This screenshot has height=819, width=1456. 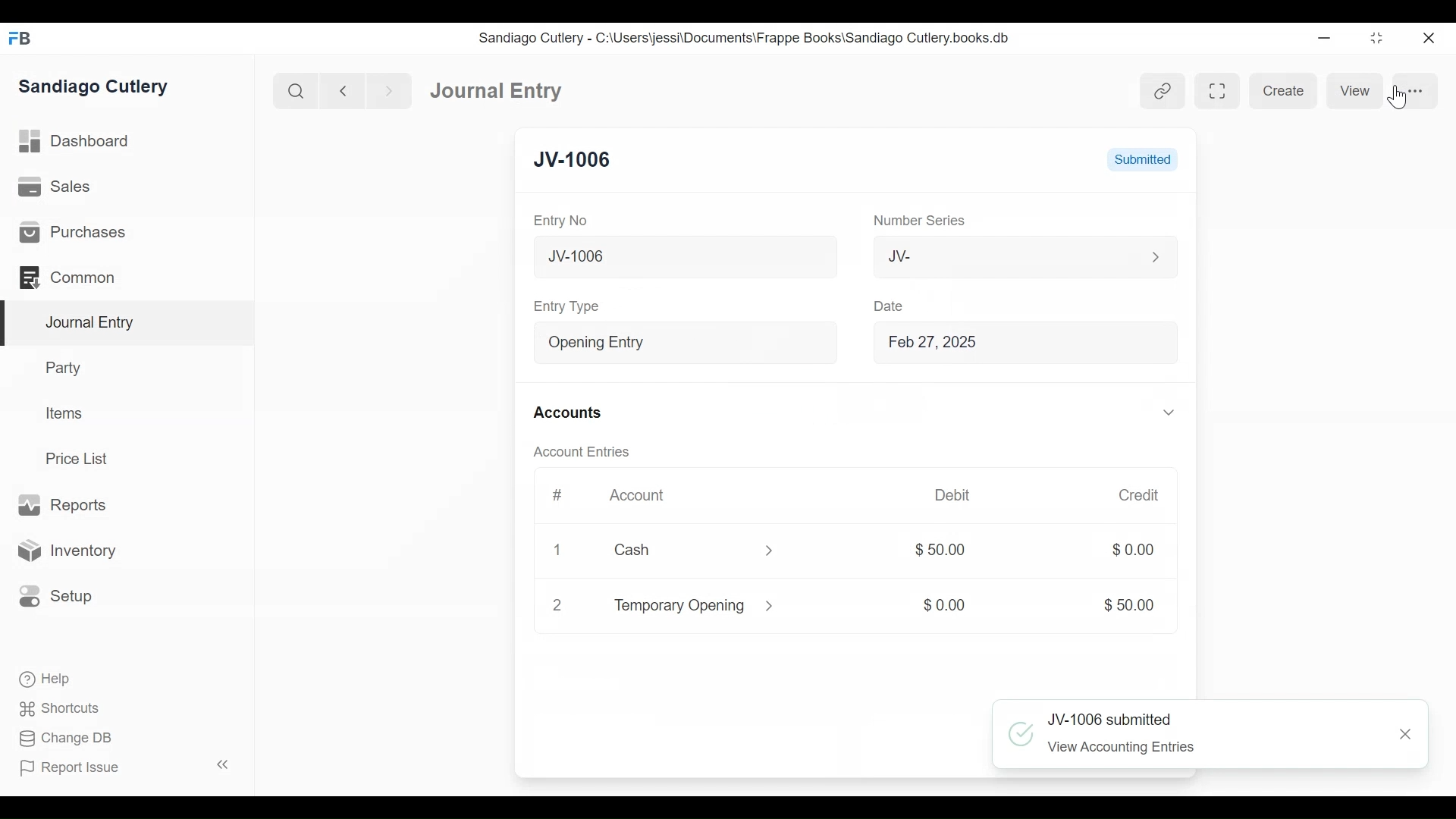 I want to click on Journal Entry, so click(x=124, y=324).